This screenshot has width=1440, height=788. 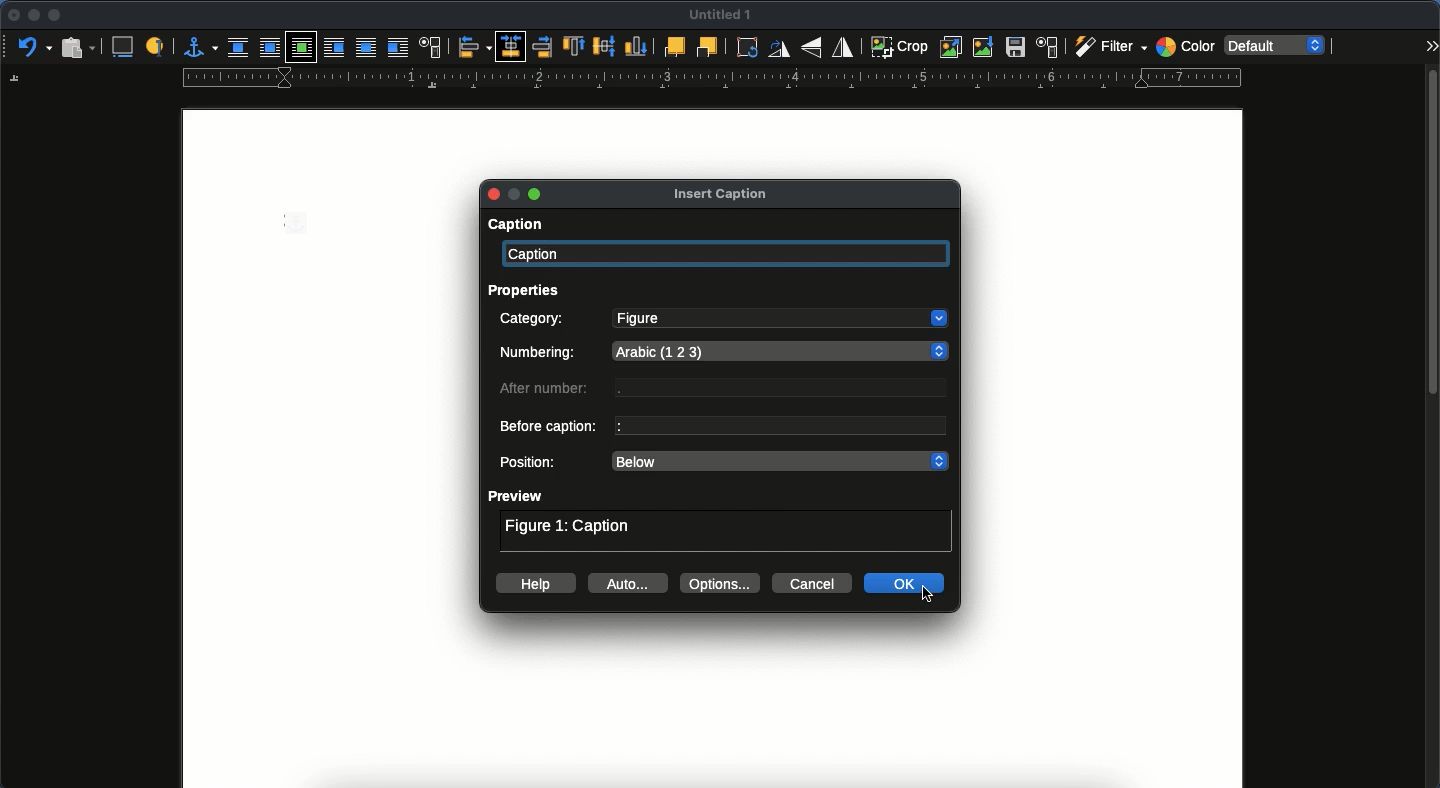 I want to click on before caption, so click(x=551, y=428).